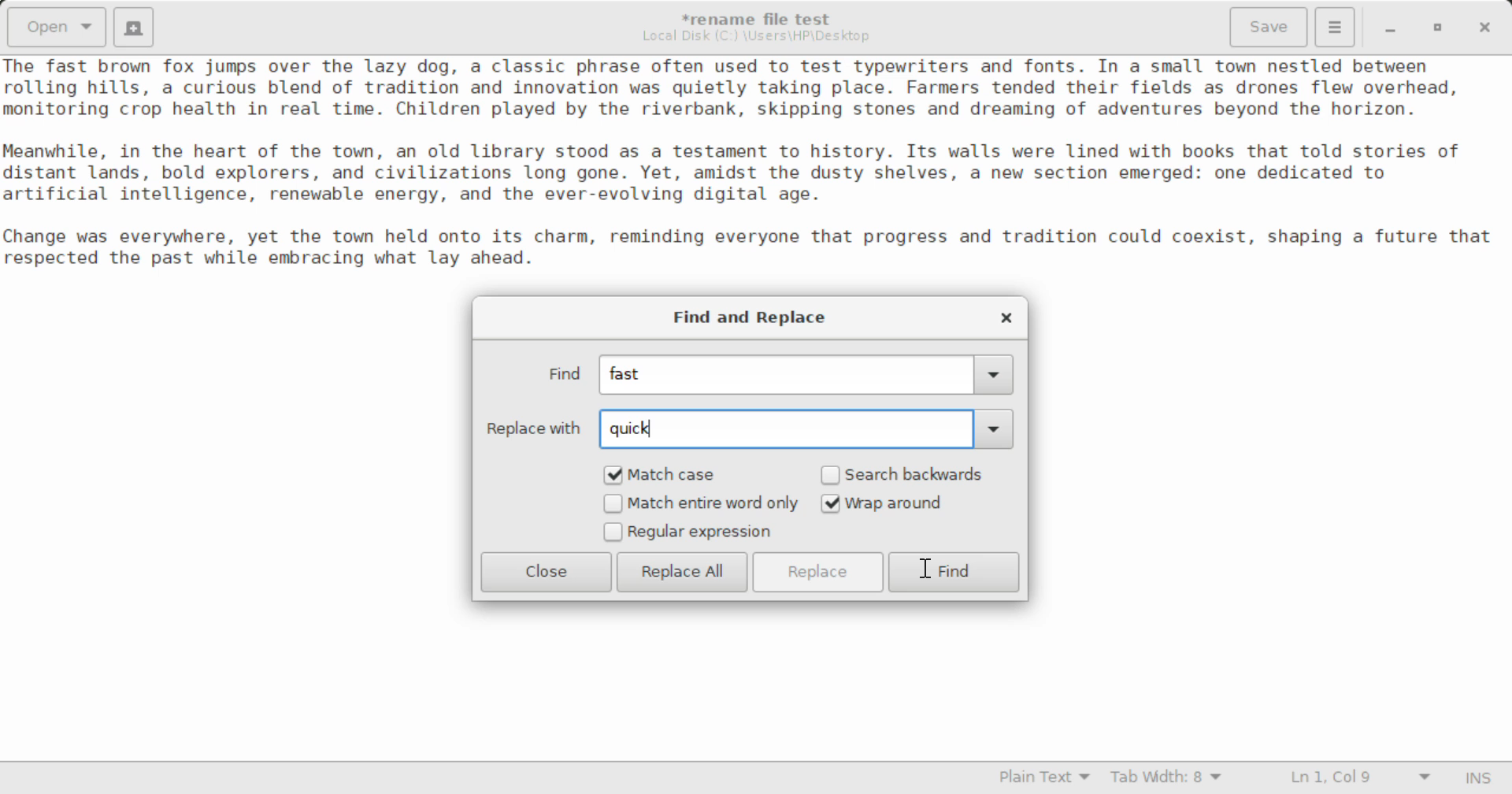 The width and height of the screenshot is (1512, 794). What do you see at coordinates (1003, 317) in the screenshot?
I see `Close Window` at bounding box center [1003, 317].